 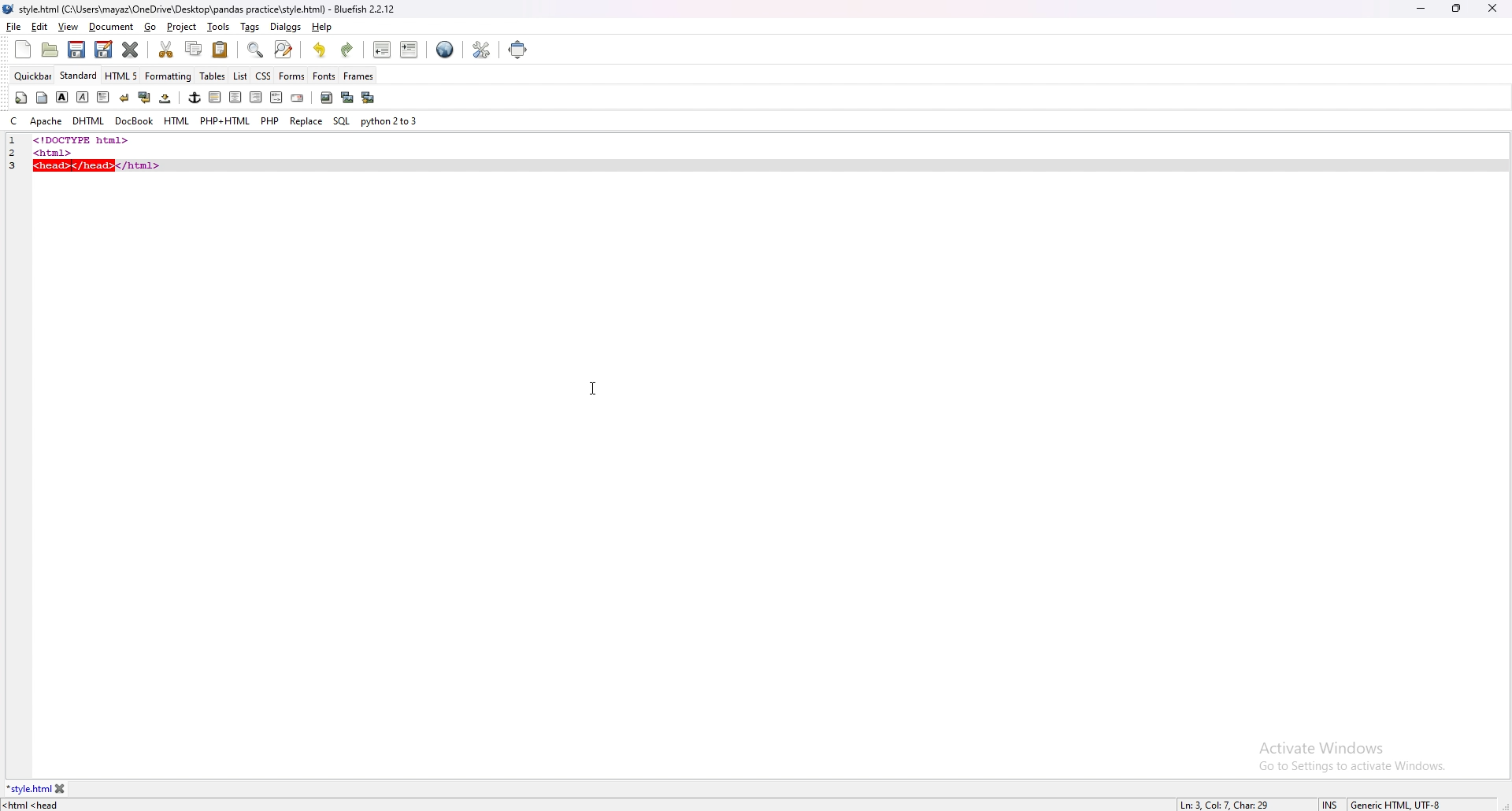 What do you see at coordinates (480, 49) in the screenshot?
I see `edit preference` at bounding box center [480, 49].